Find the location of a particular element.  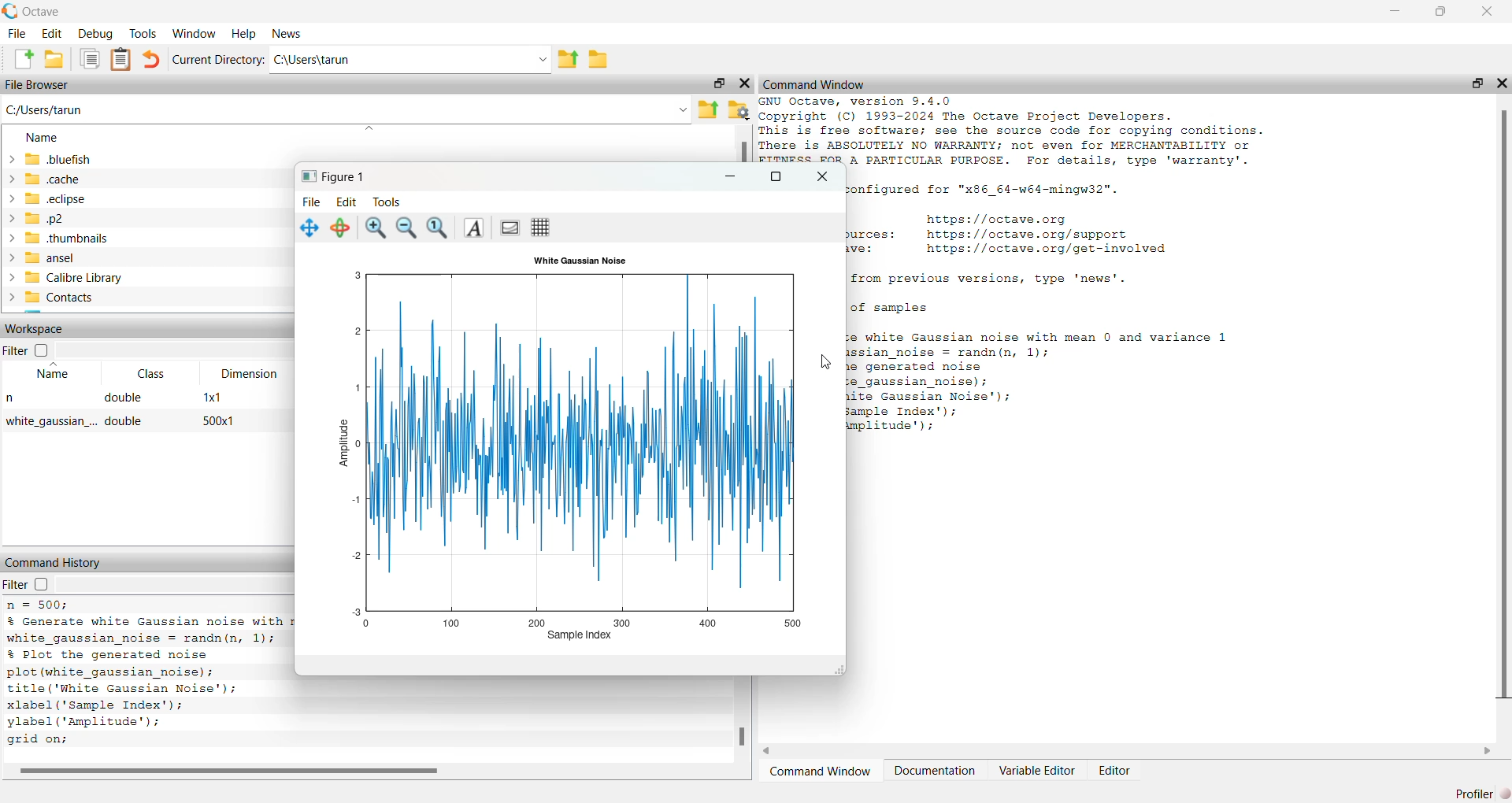

zoom in is located at coordinates (375, 228).